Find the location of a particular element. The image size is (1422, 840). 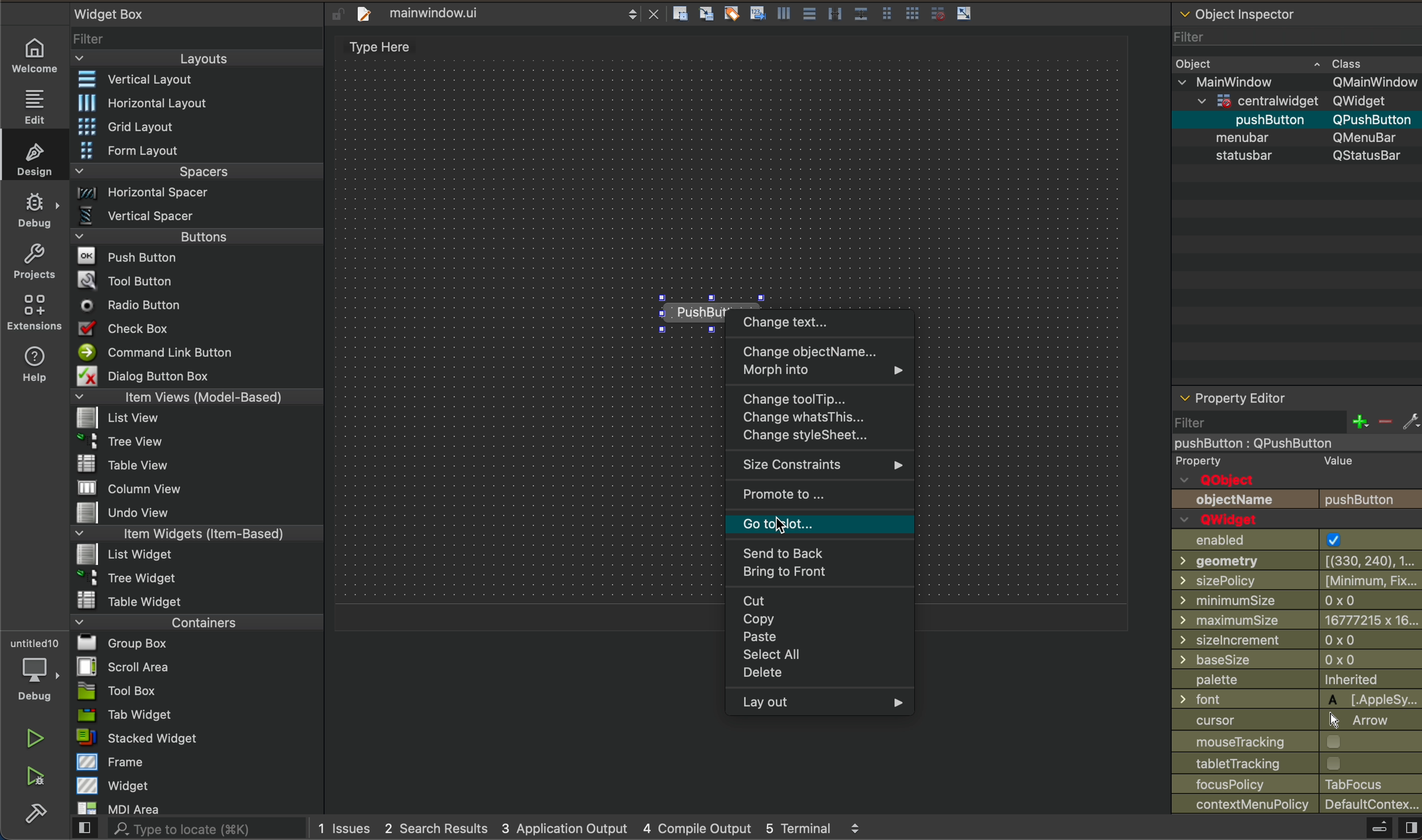

debug is located at coordinates (33, 211).